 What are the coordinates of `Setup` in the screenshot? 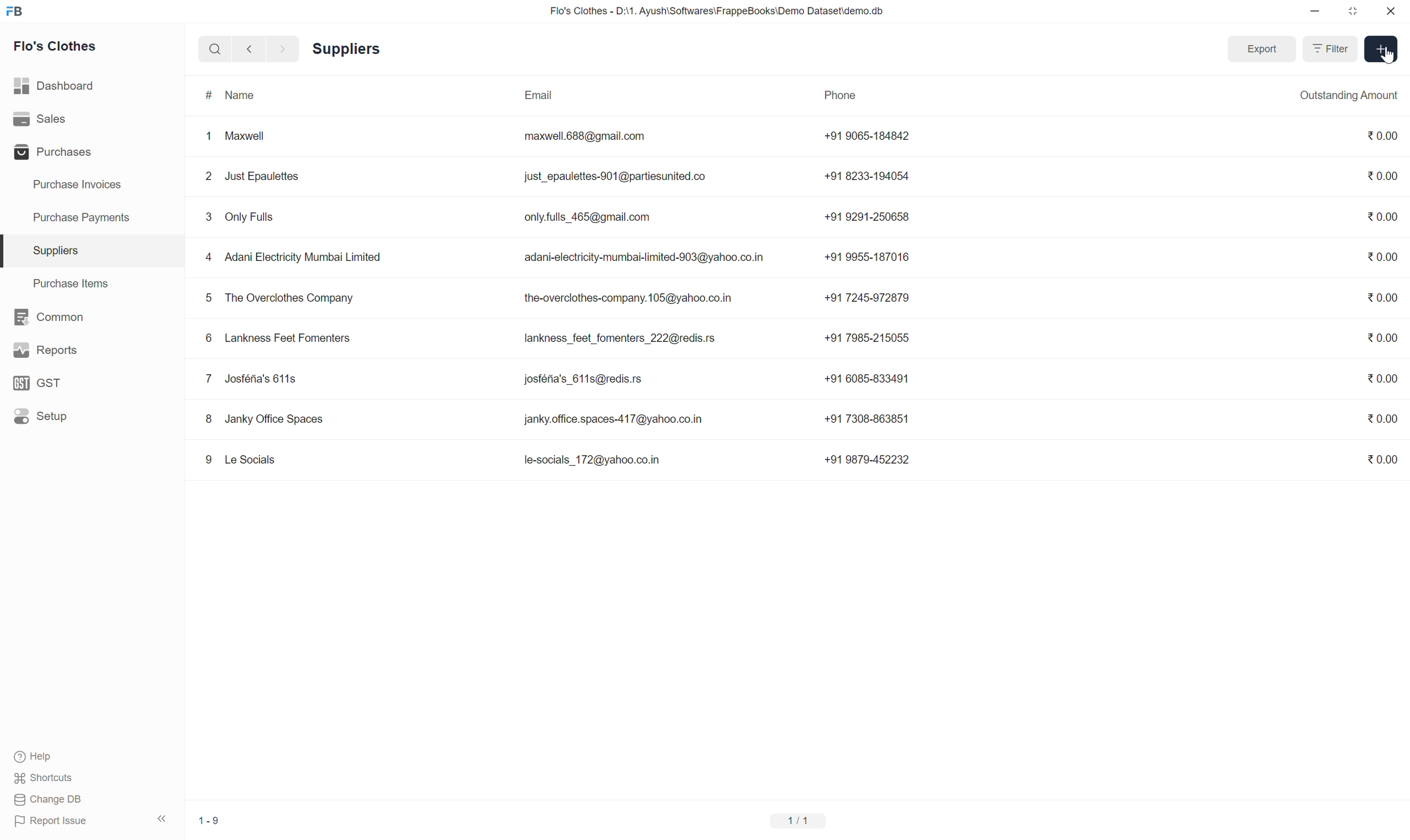 It's located at (91, 416).